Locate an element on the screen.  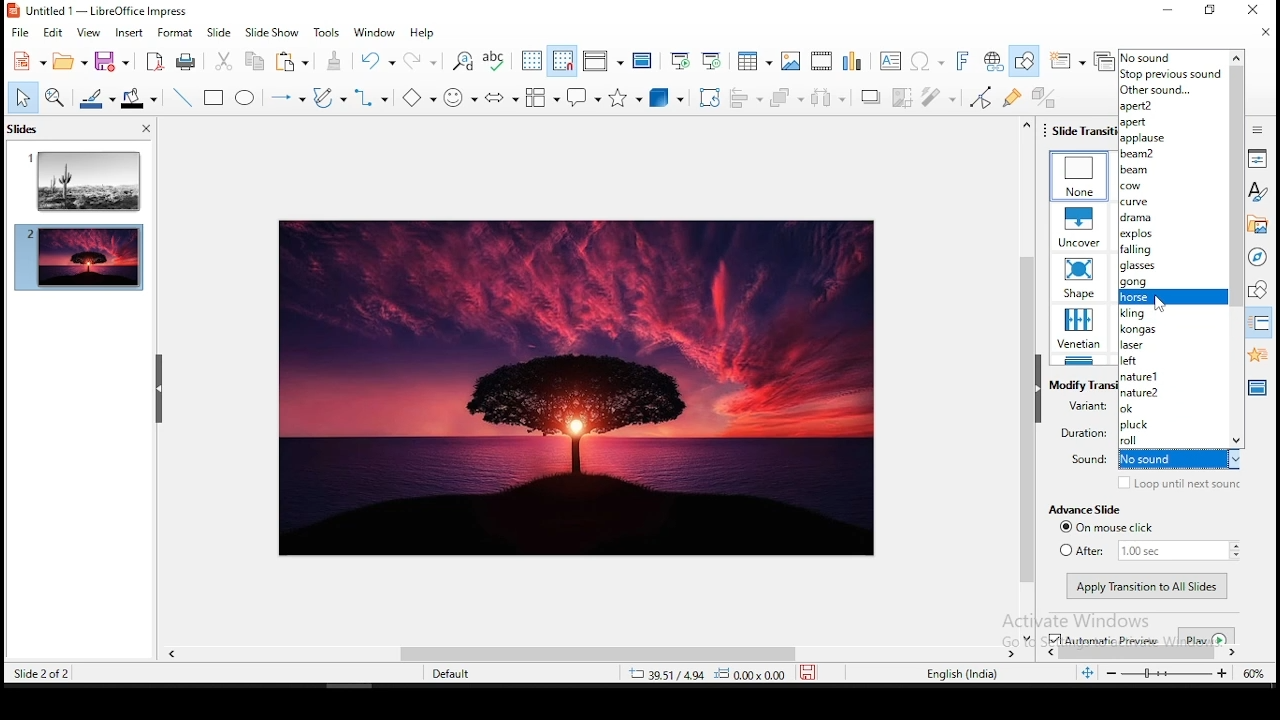
shapes is located at coordinates (1259, 290).